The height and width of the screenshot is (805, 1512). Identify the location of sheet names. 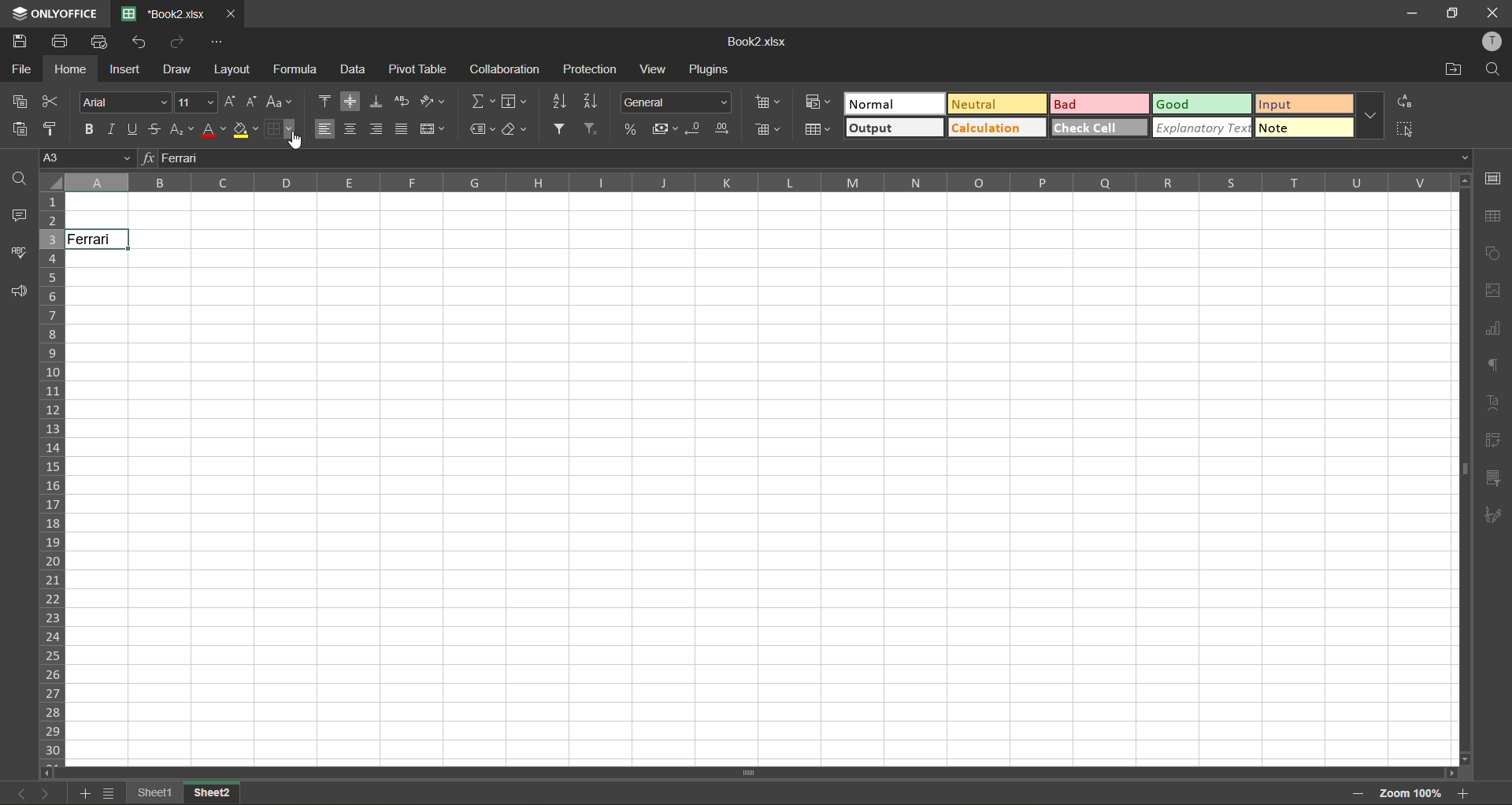
(154, 793).